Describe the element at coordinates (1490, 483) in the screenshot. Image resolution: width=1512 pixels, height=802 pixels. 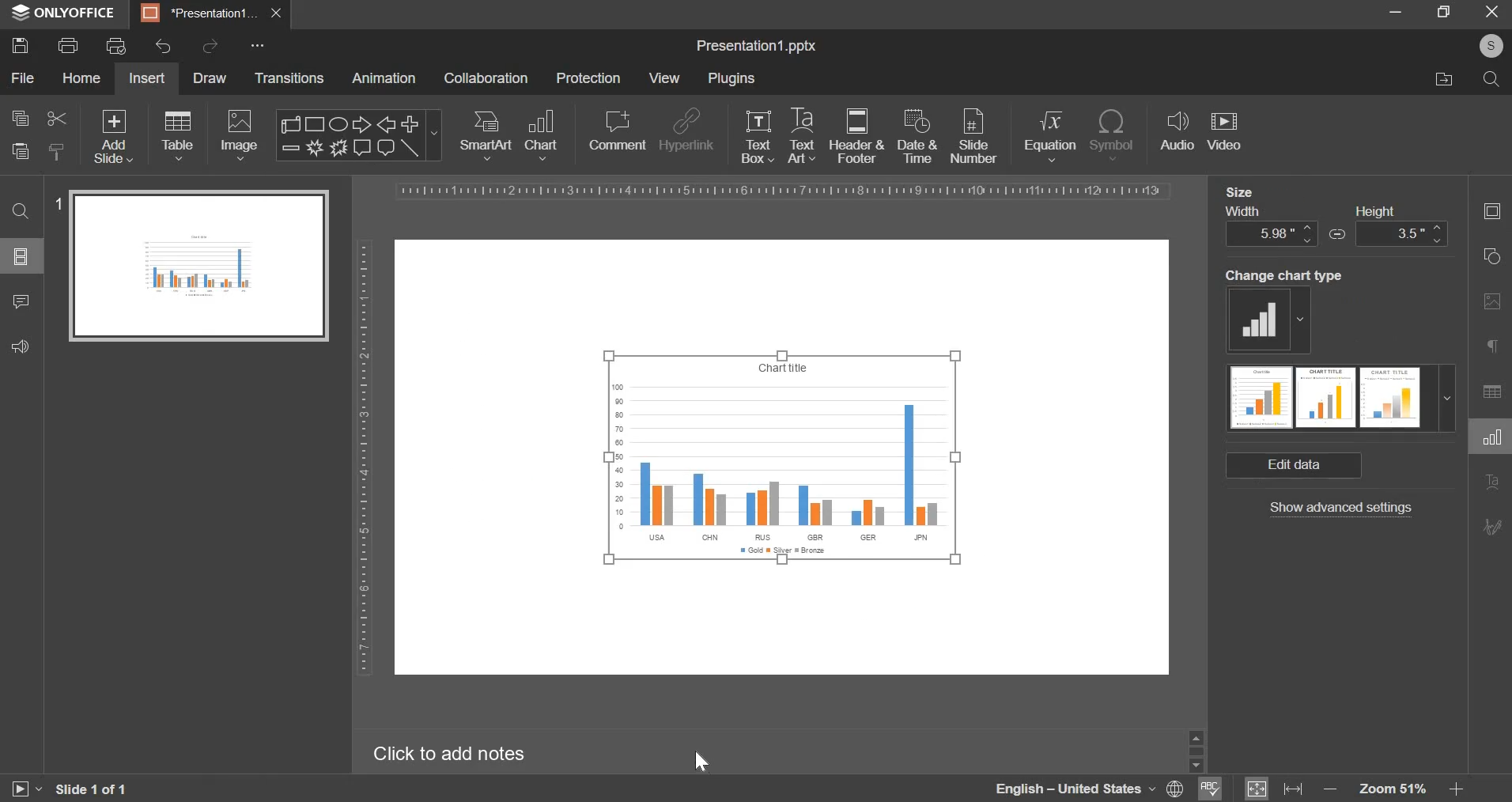
I see `text art settings` at that location.